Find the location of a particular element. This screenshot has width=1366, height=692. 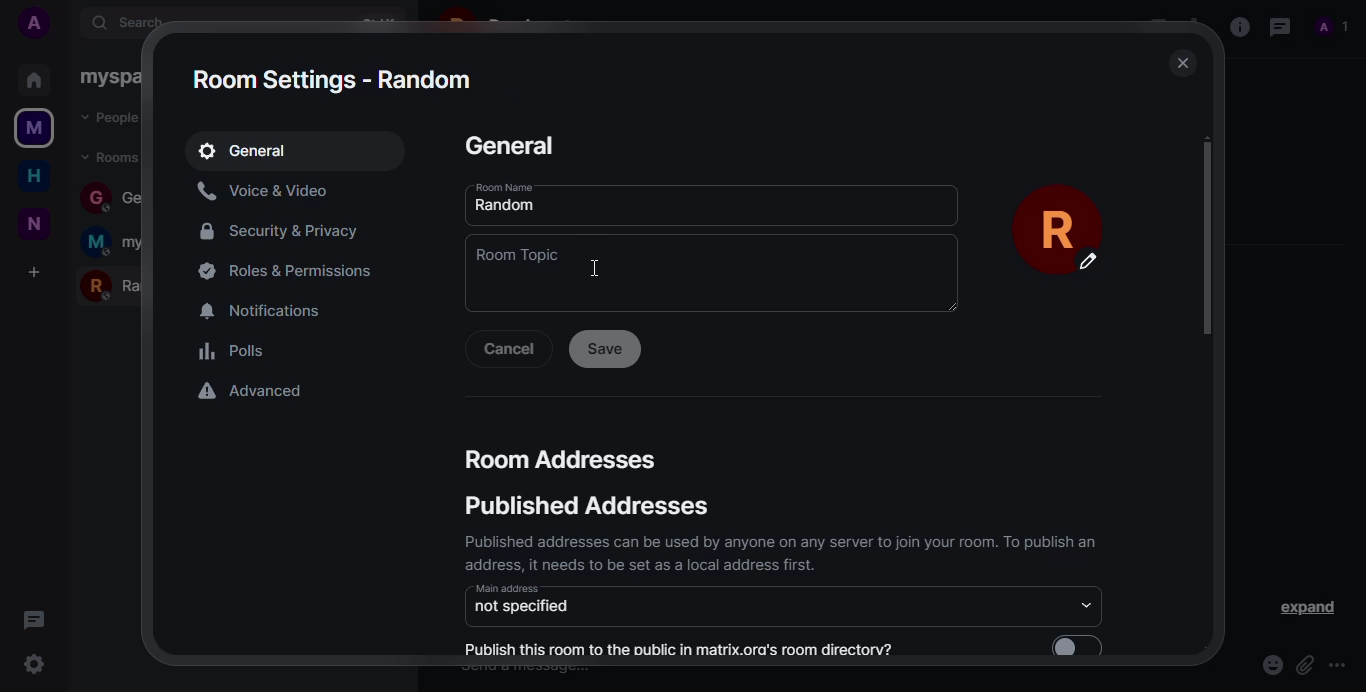

random is located at coordinates (121, 283).